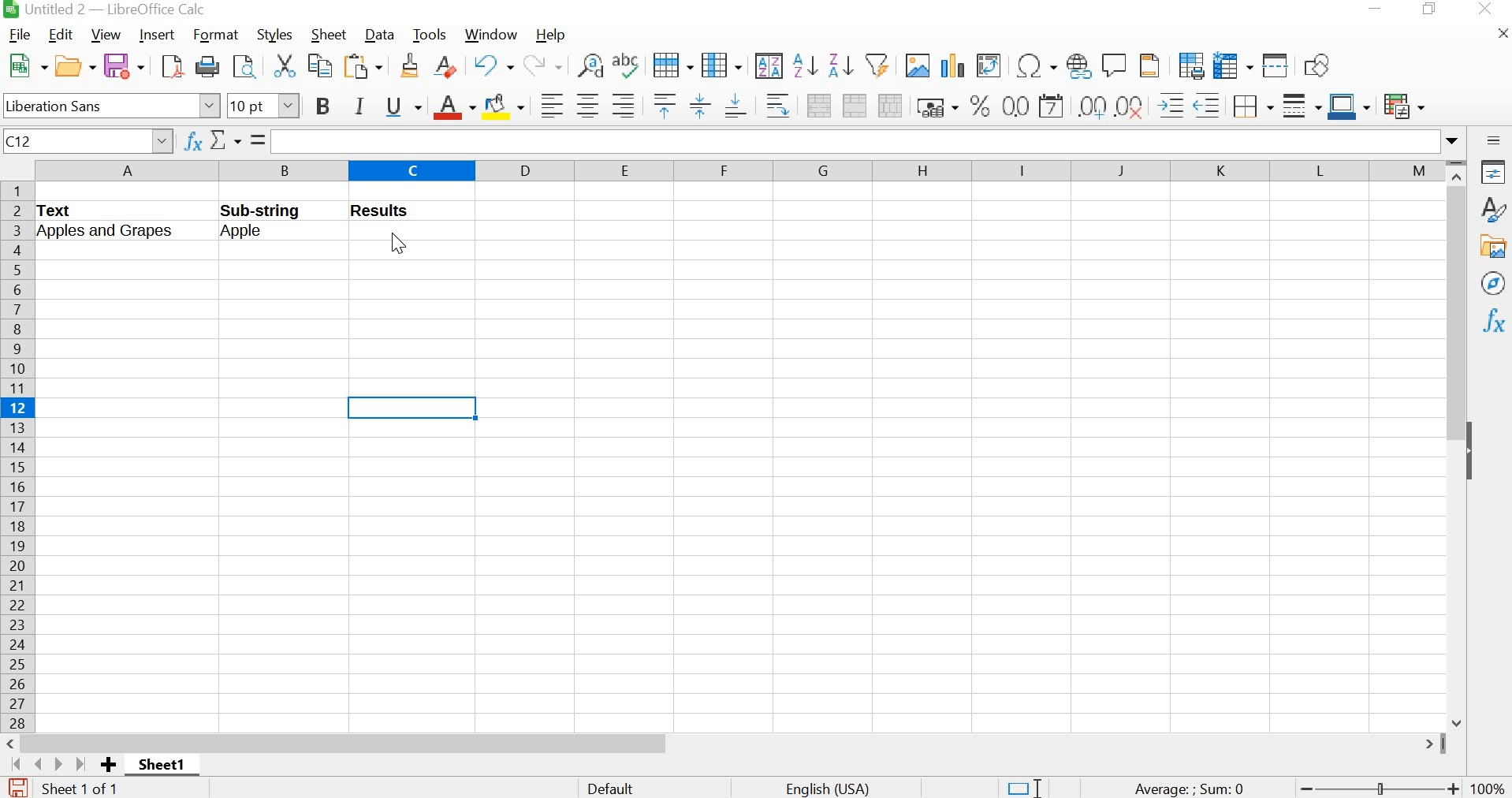 The width and height of the screenshot is (1512, 798). Describe the element at coordinates (397, 244) in the screenshot. I see `cursor location` at that location.